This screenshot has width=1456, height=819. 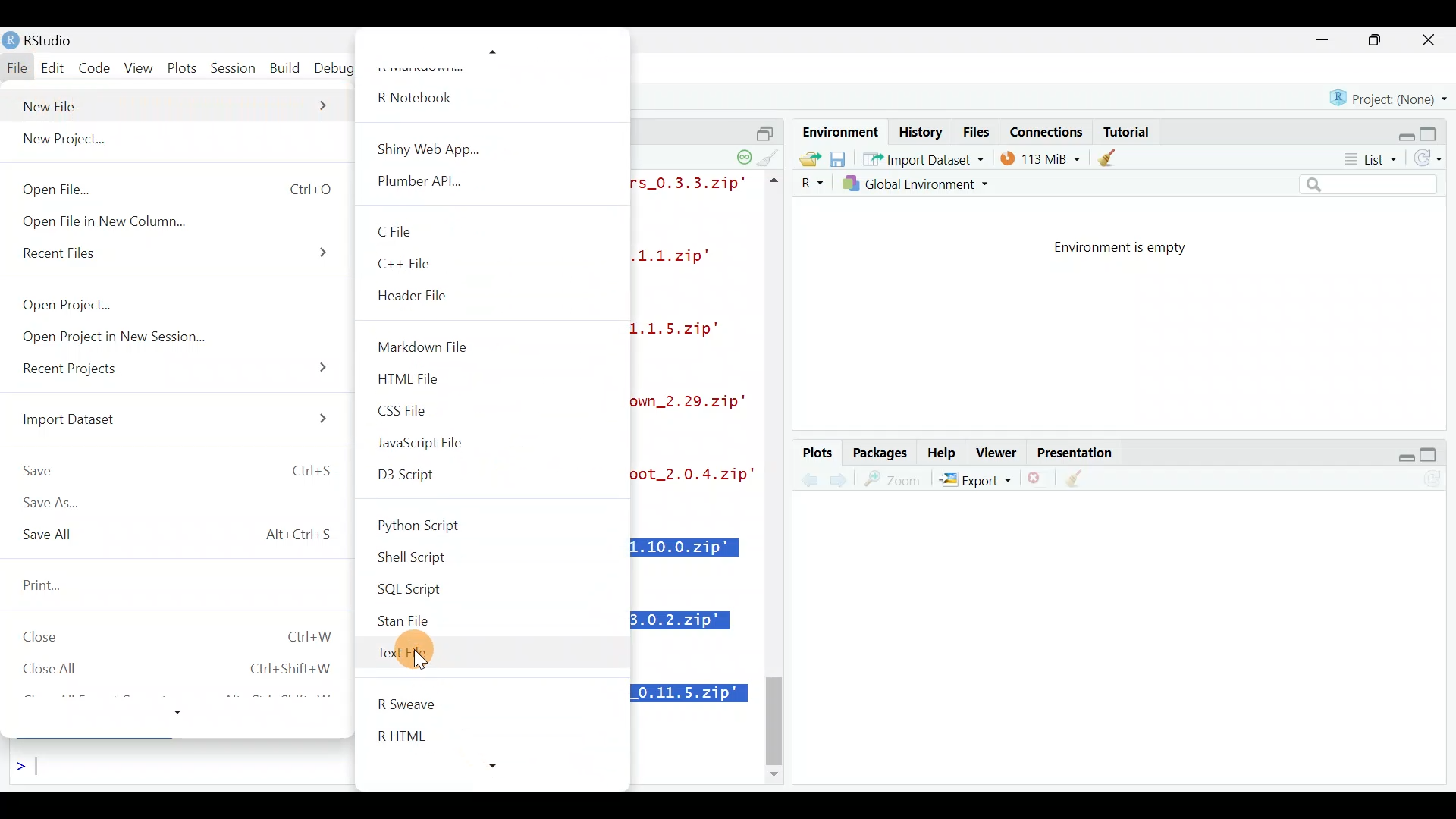 I want to click on C File, so click(x=413, y=229).